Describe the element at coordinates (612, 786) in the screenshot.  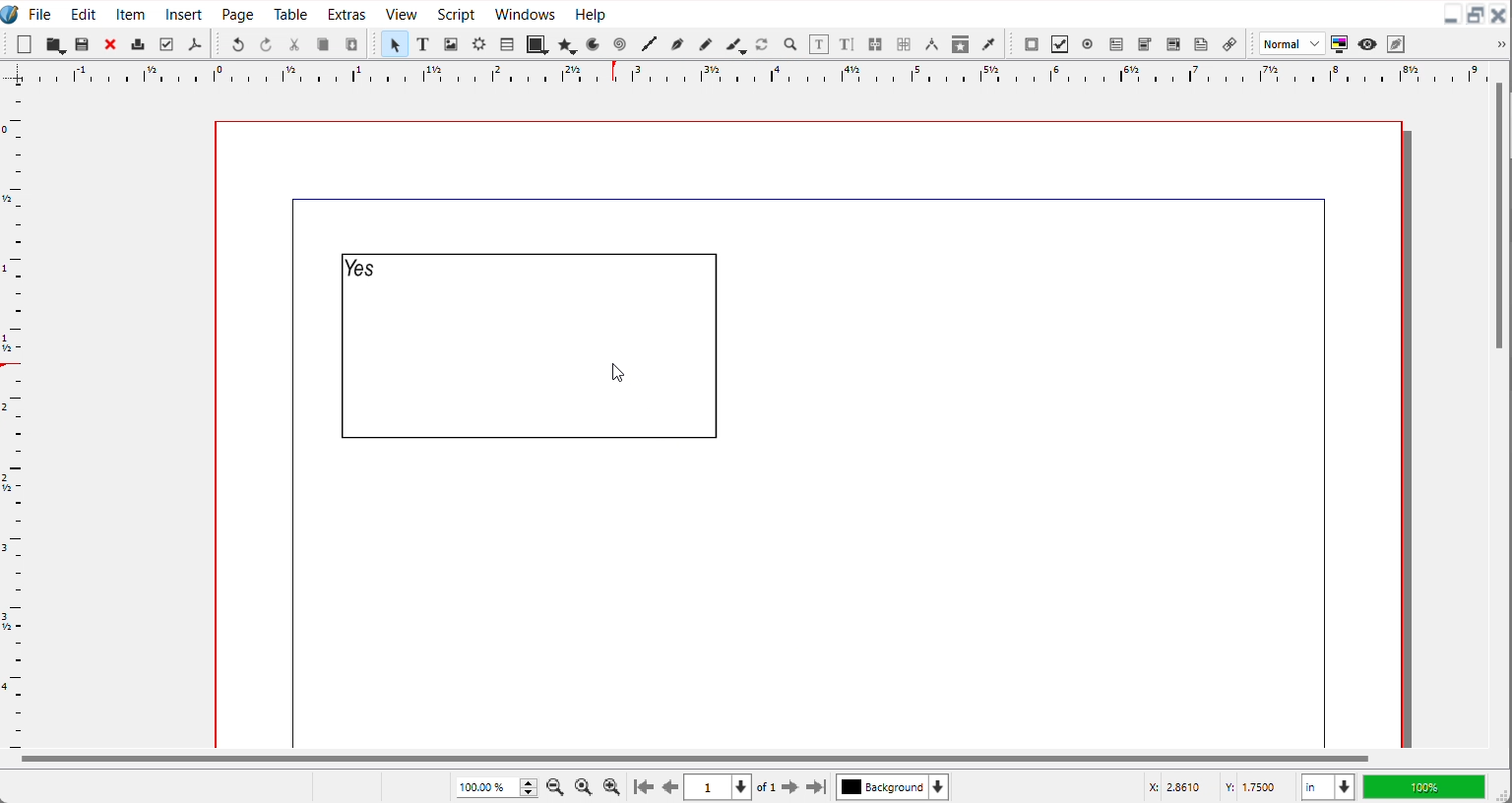
I see `Zoom In` at that location.